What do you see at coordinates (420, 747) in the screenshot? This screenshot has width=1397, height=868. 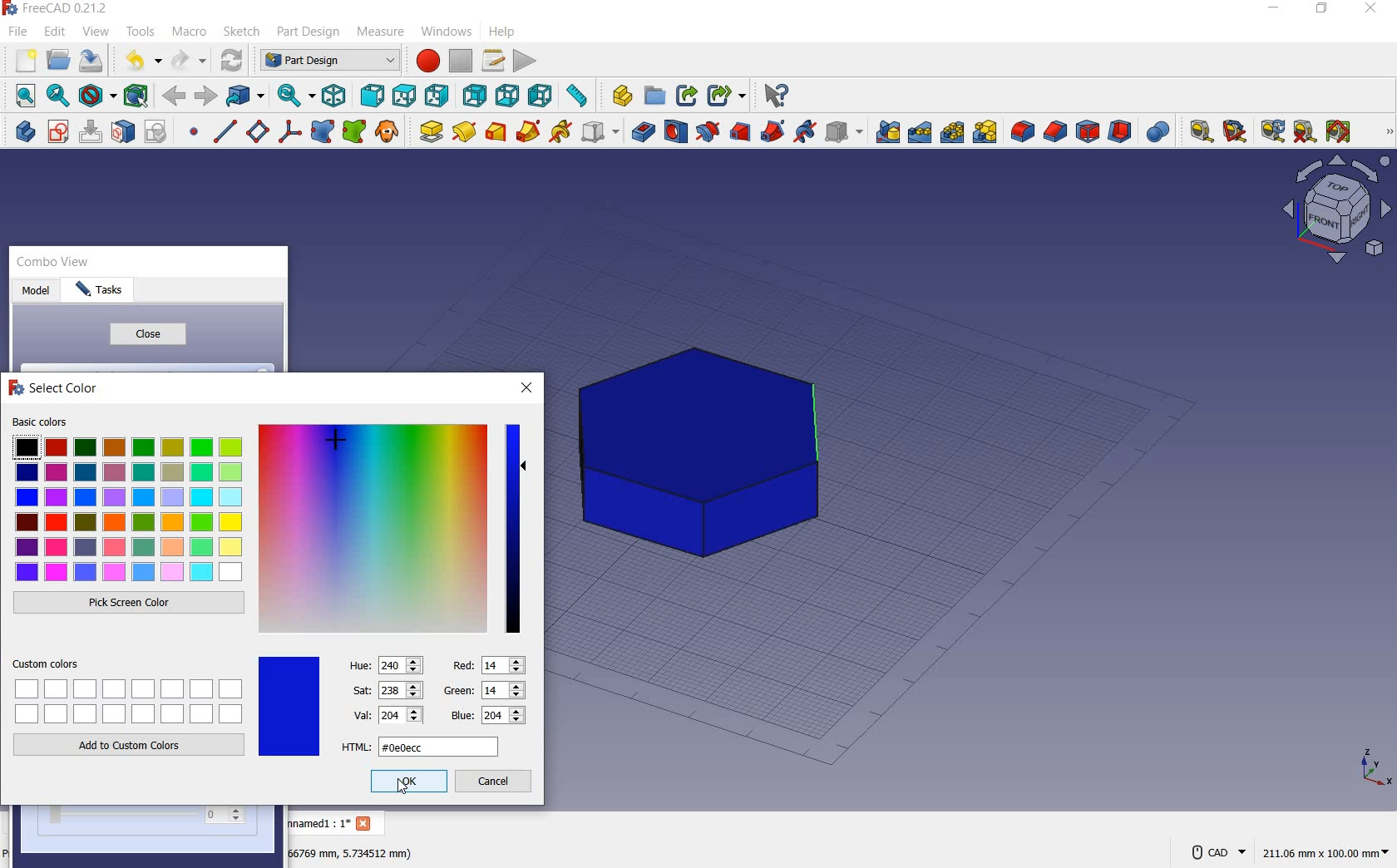 I see `HTML: #OeOecc` at bounding box center [420, 747].